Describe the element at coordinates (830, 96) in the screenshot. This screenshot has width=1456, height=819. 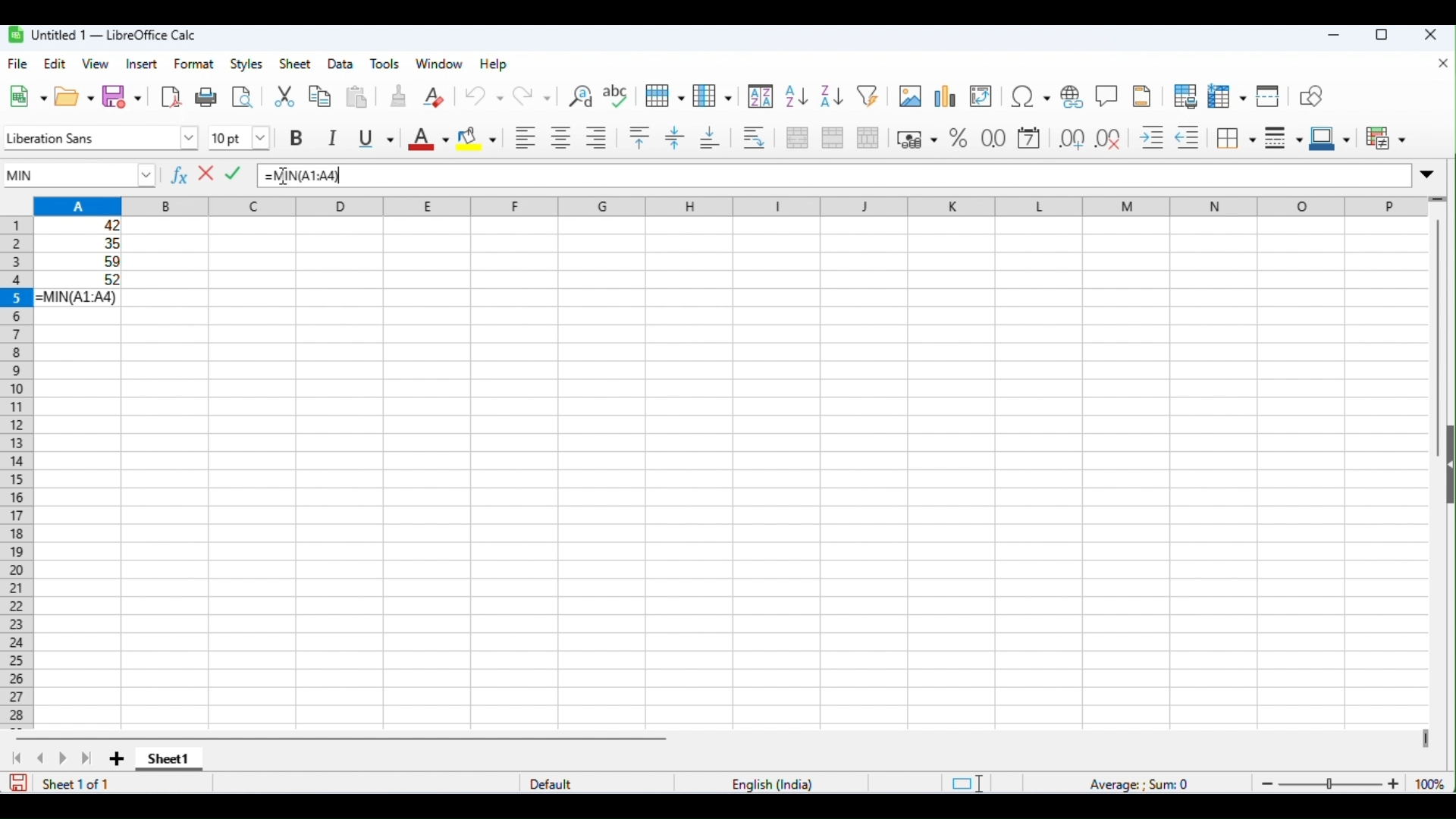
I see `sort descending` at that location.